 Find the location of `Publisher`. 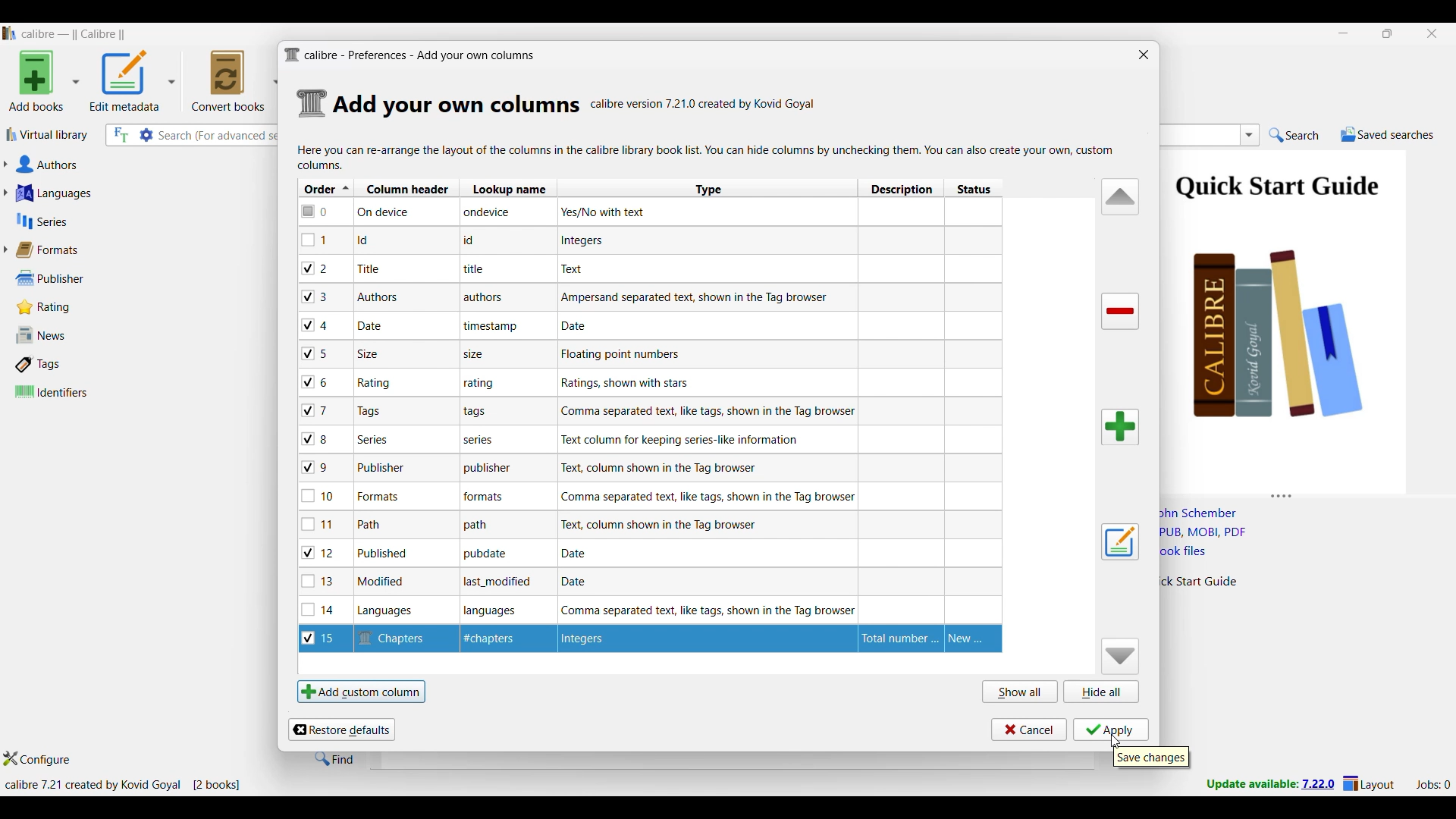

Publisher is located at coordinates (67, 278).